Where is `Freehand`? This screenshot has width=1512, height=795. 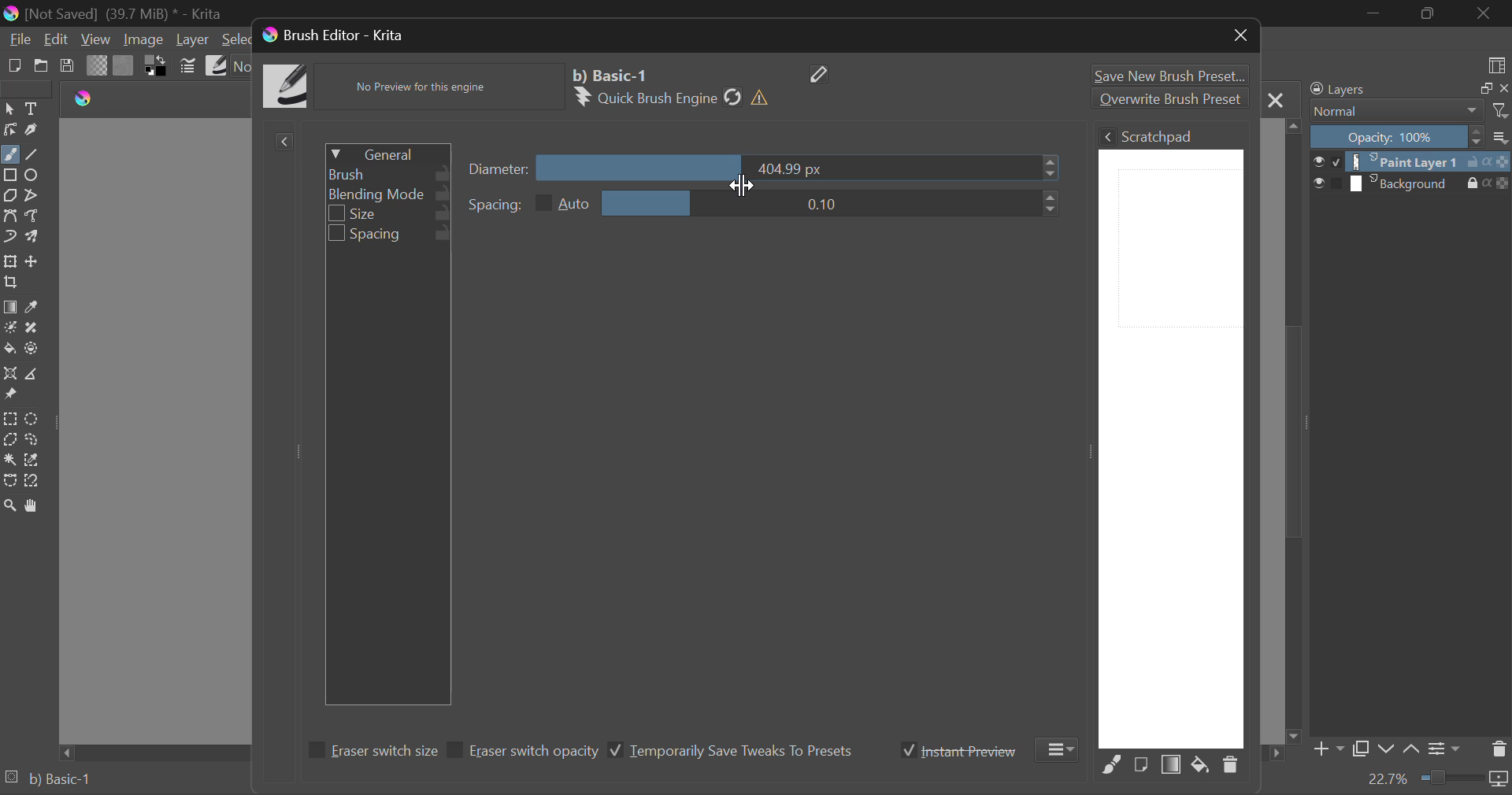
Freehand is located at coordinates (10, 154).